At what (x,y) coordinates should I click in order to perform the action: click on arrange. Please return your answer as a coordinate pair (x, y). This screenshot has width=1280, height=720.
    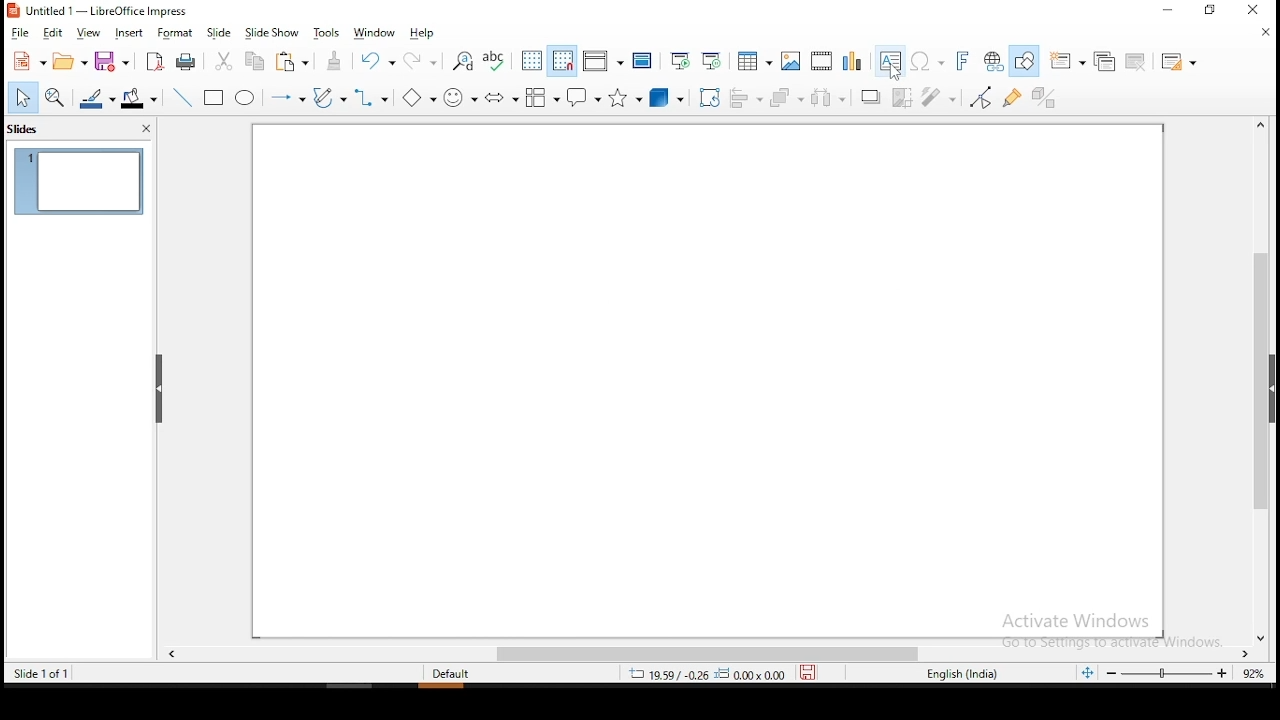
    Looking at the image, I should click on (784, 94).